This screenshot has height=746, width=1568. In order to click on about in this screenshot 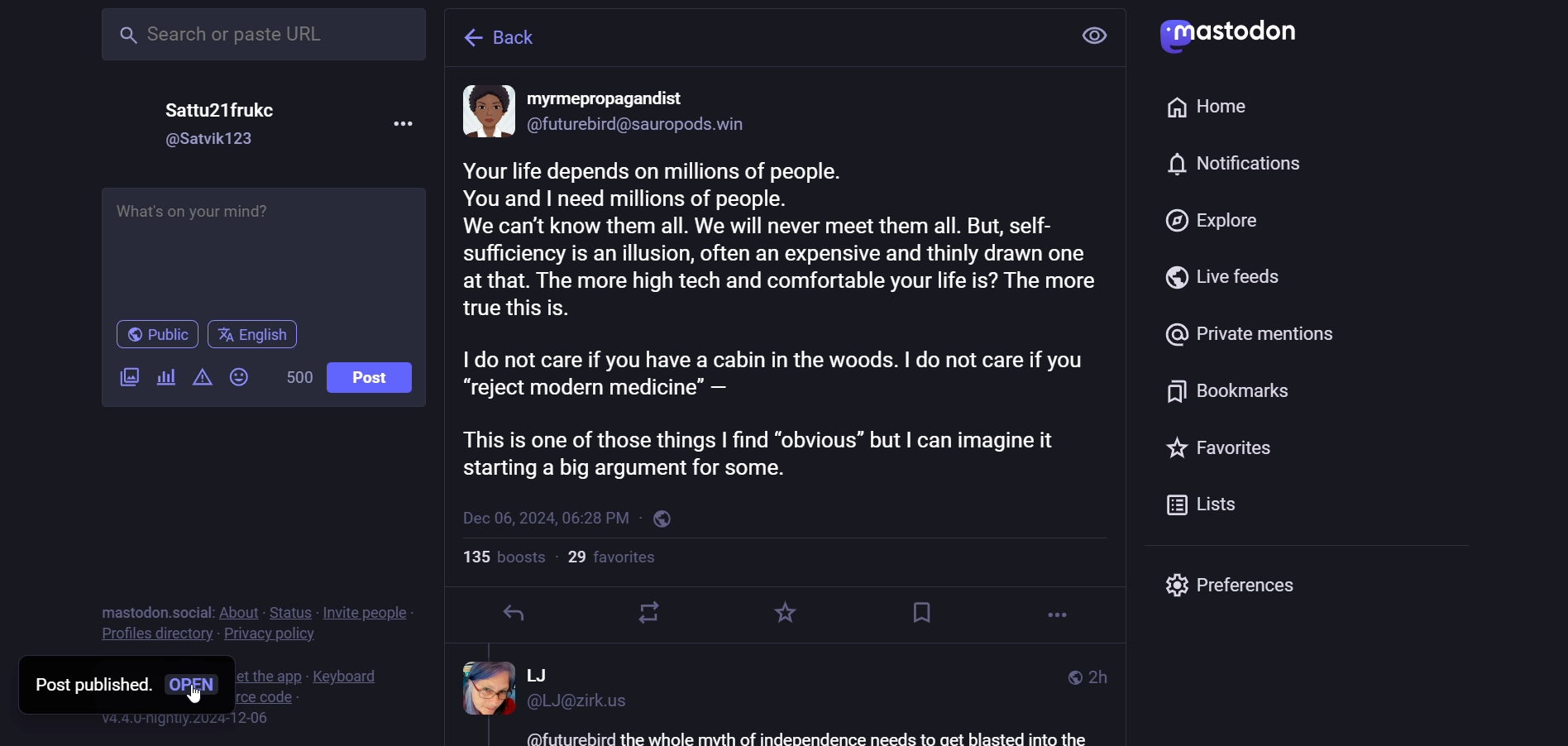, I will do `click(241, 612)`.